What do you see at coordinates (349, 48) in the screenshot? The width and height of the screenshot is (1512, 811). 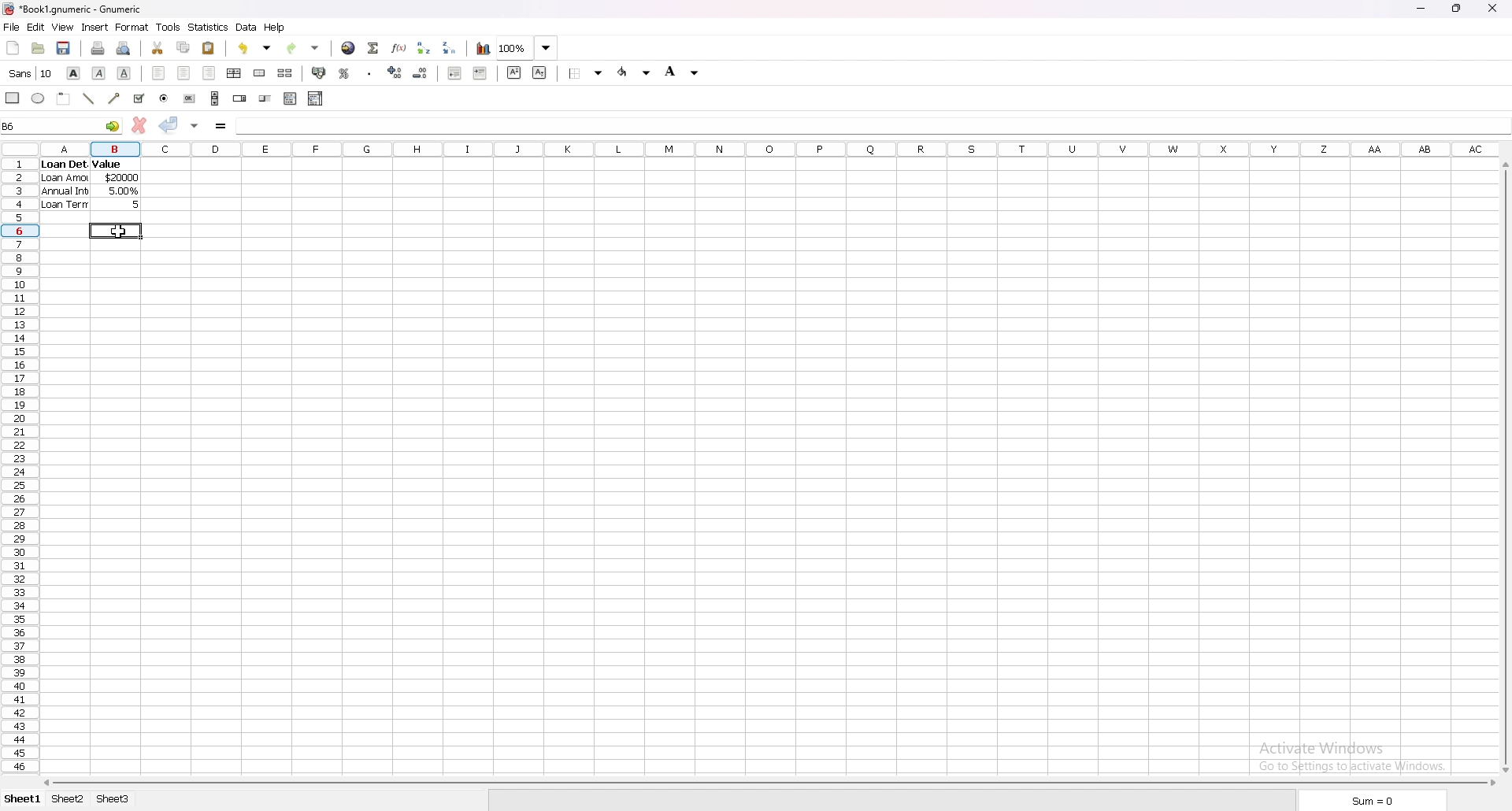 I see `hyperlink` at bounding box center [349, 48].